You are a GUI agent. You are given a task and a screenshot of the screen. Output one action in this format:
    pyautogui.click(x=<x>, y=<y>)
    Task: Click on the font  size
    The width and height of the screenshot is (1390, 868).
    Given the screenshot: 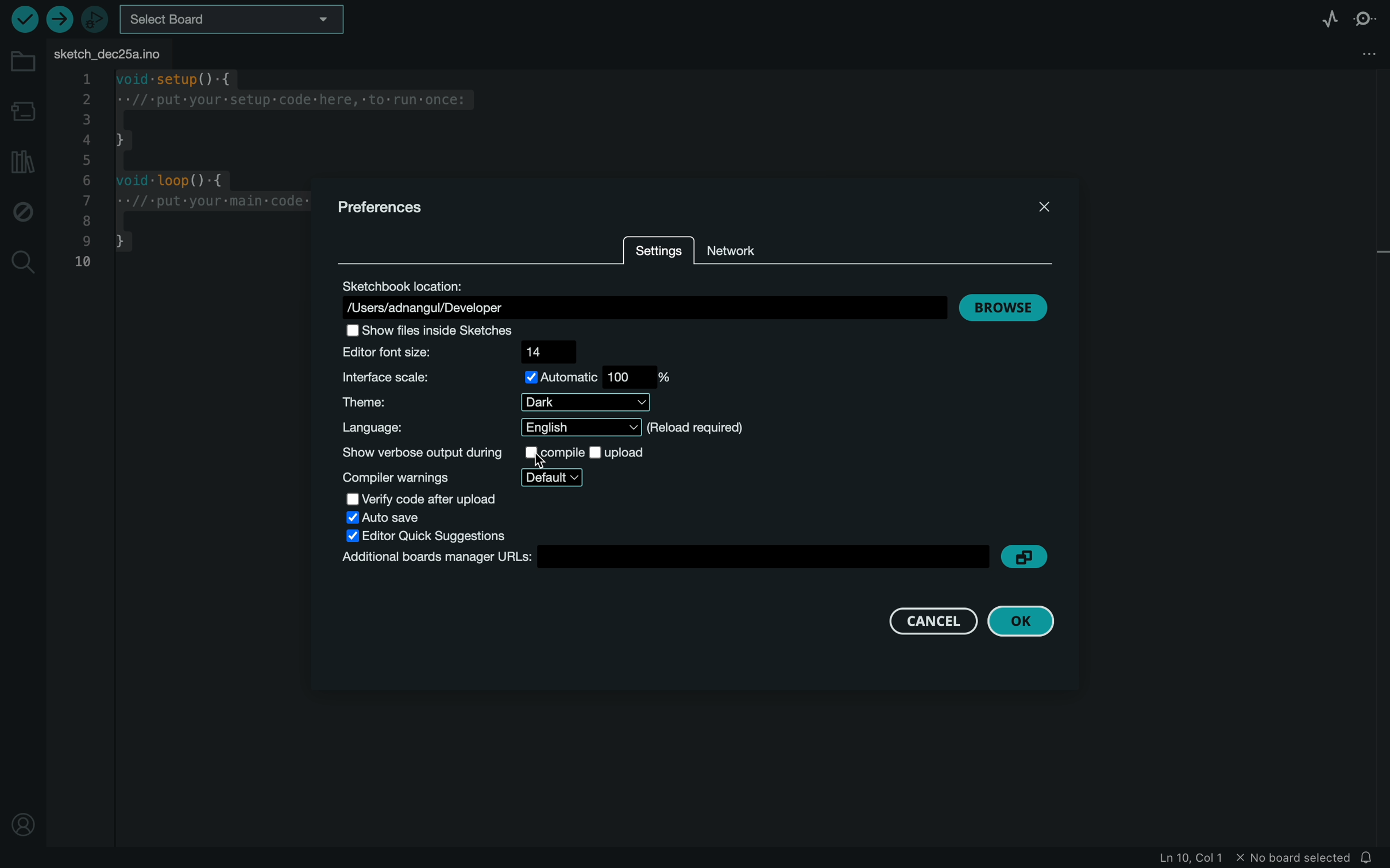 What is the action you would take?
    pyautogui.click(x=469, y=352)
    